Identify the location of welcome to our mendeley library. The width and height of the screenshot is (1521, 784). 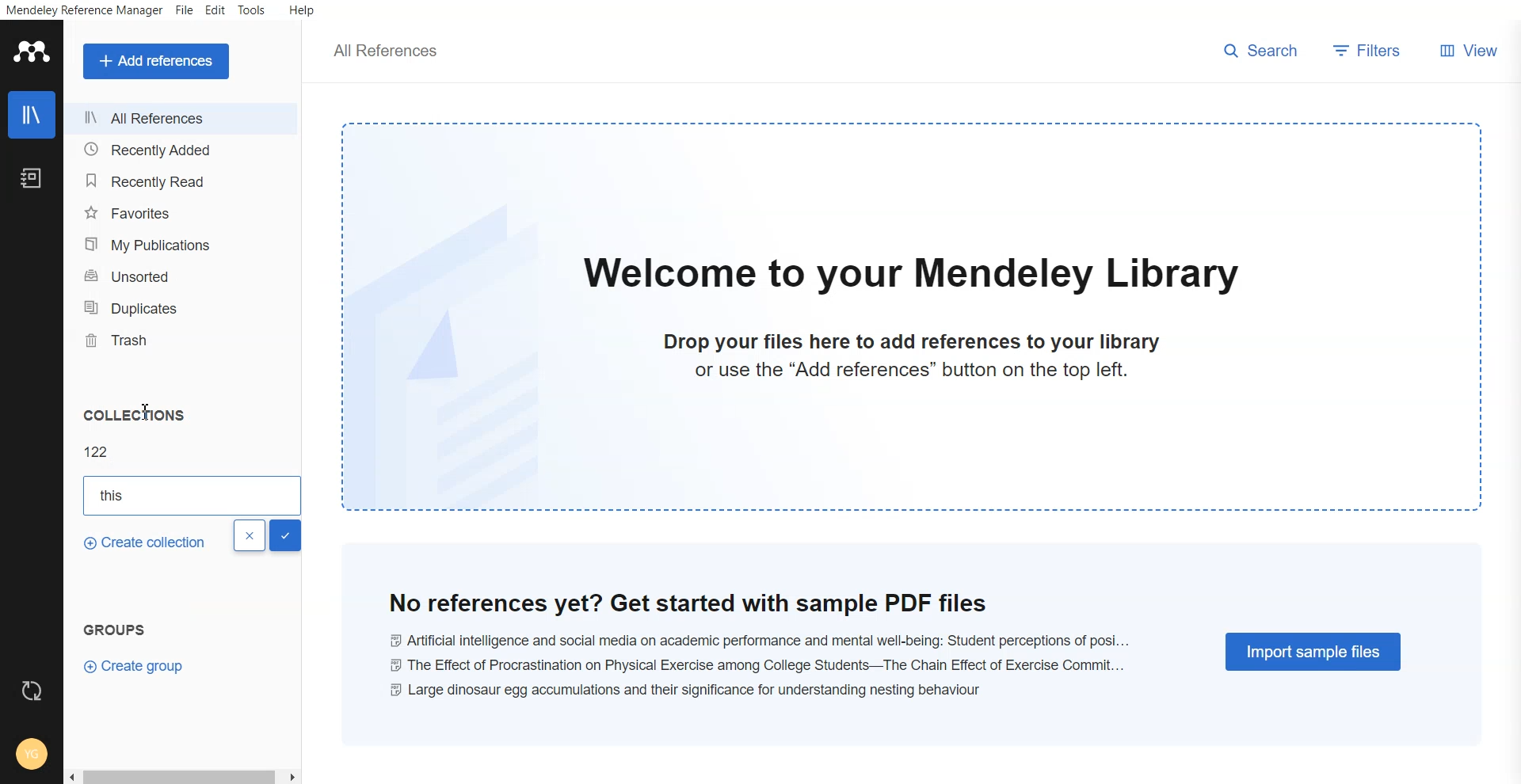
(911, 274).